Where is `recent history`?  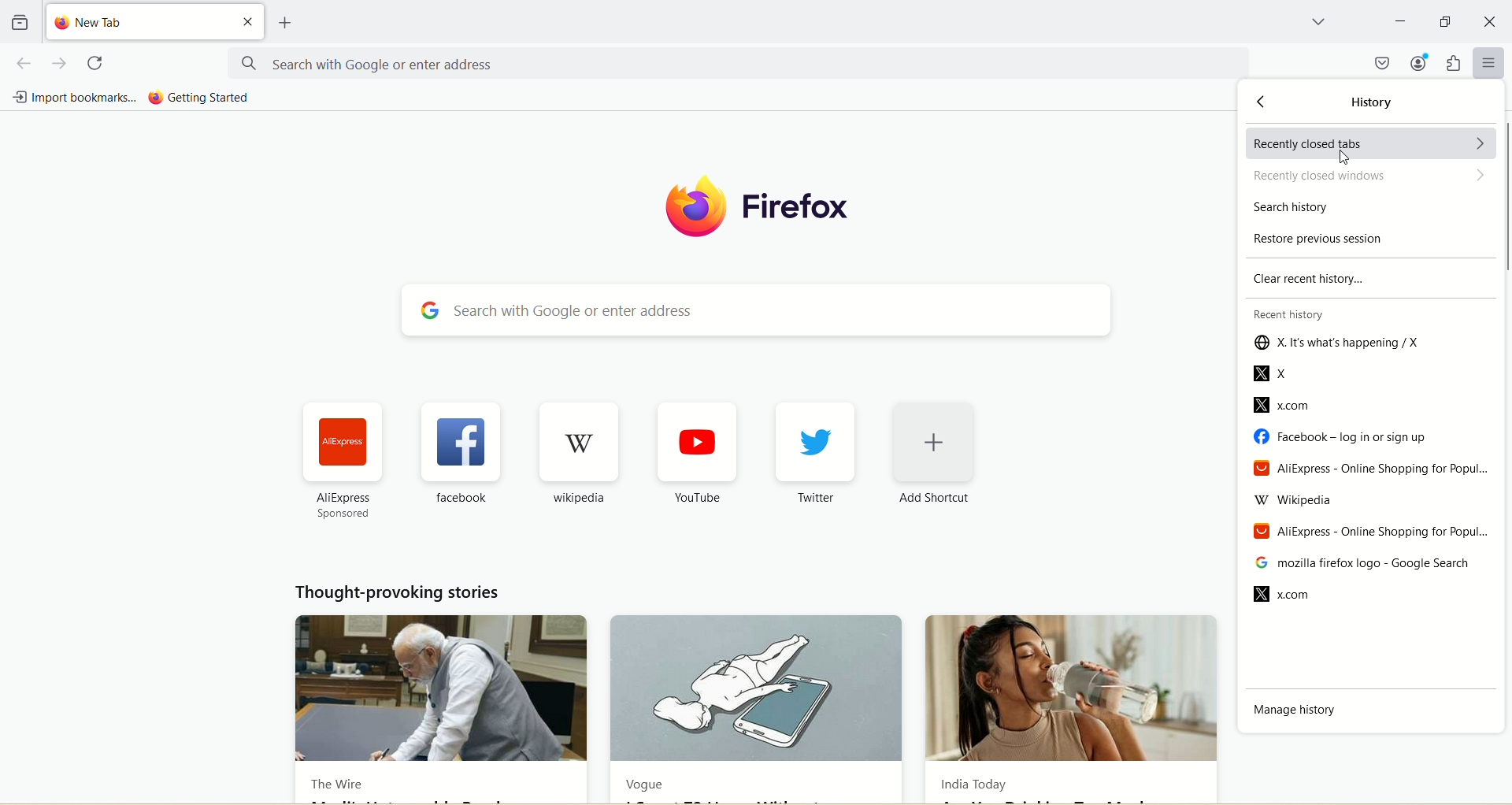
recent history is located at coordinates (1311, 316).